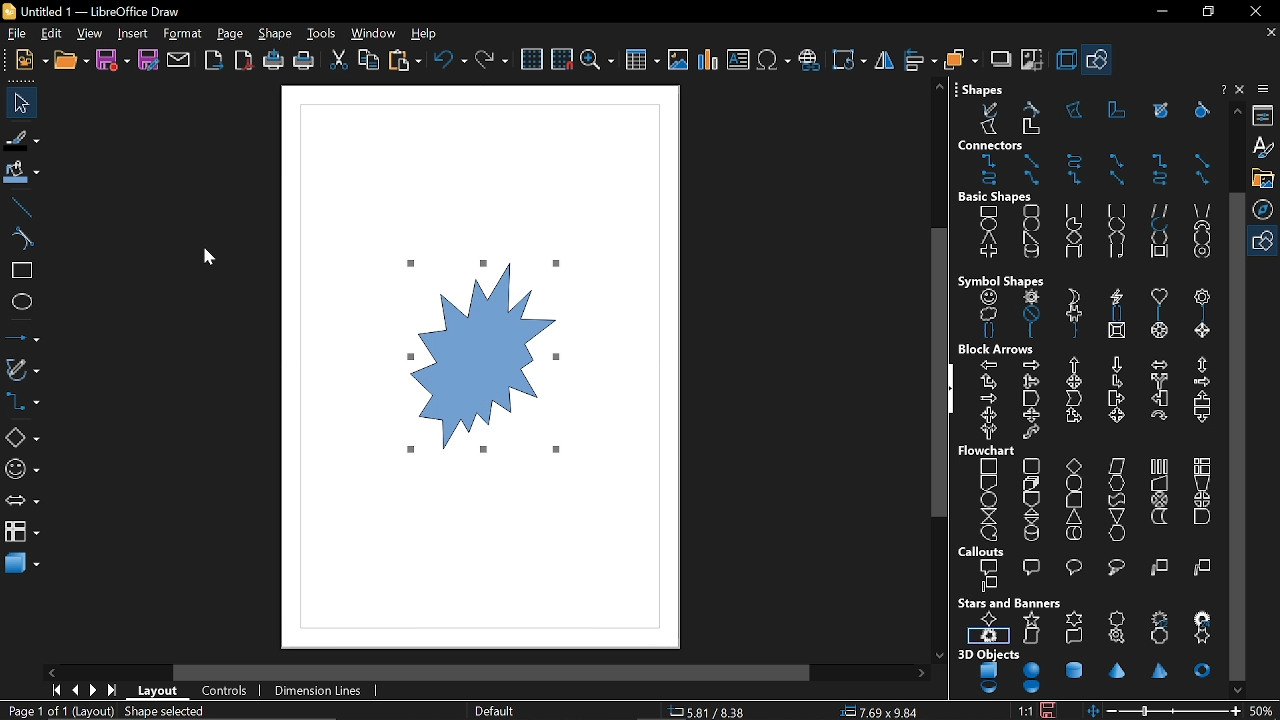 The image size is (1280, 720). I want to click on Basic shapes, so click(1099, 62).